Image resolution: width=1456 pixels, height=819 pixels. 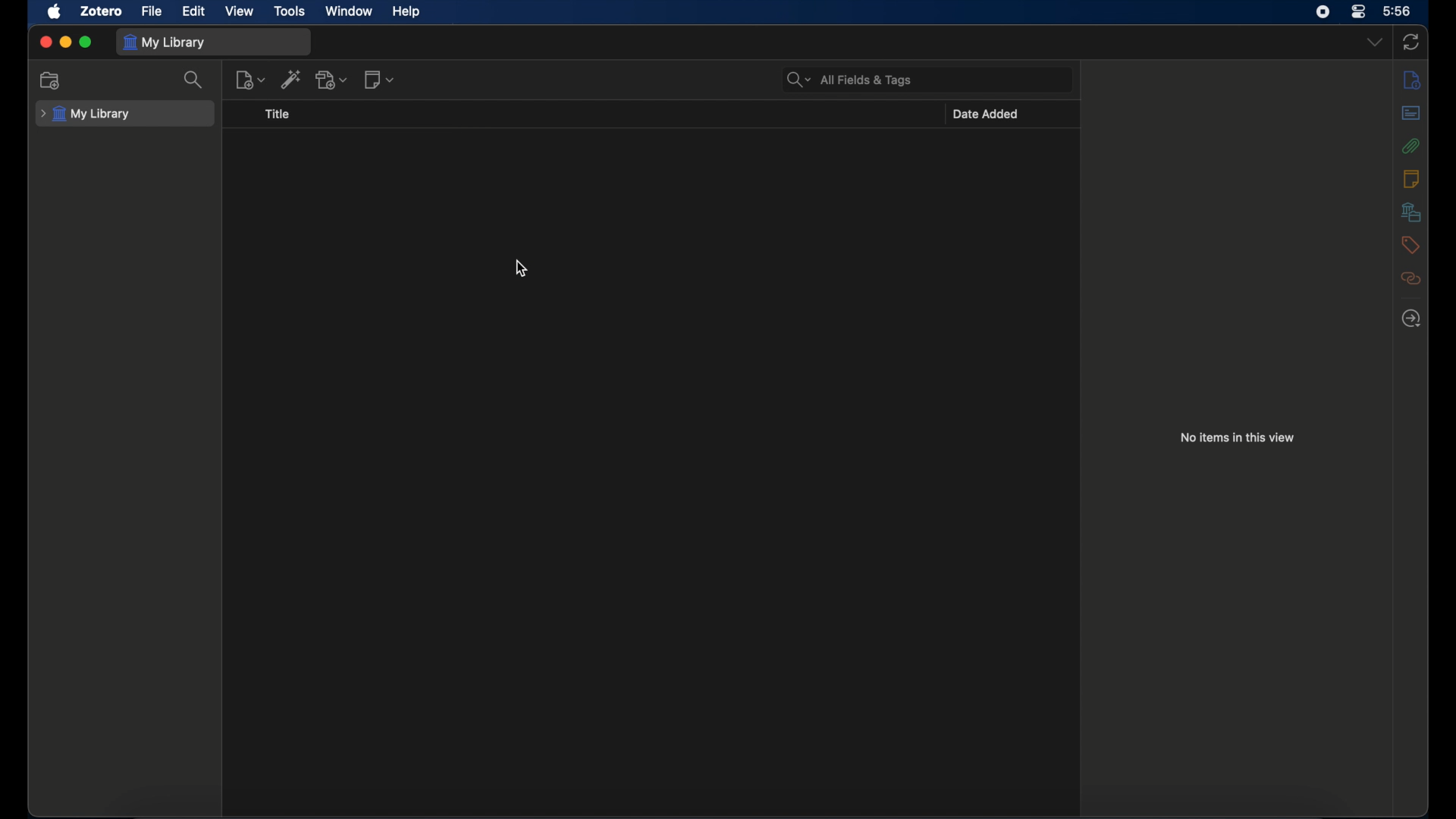 What do you see at coordinates (1323, 12) in the screenshot?
I see `screen recorder` at bounding box center [1323, 12].